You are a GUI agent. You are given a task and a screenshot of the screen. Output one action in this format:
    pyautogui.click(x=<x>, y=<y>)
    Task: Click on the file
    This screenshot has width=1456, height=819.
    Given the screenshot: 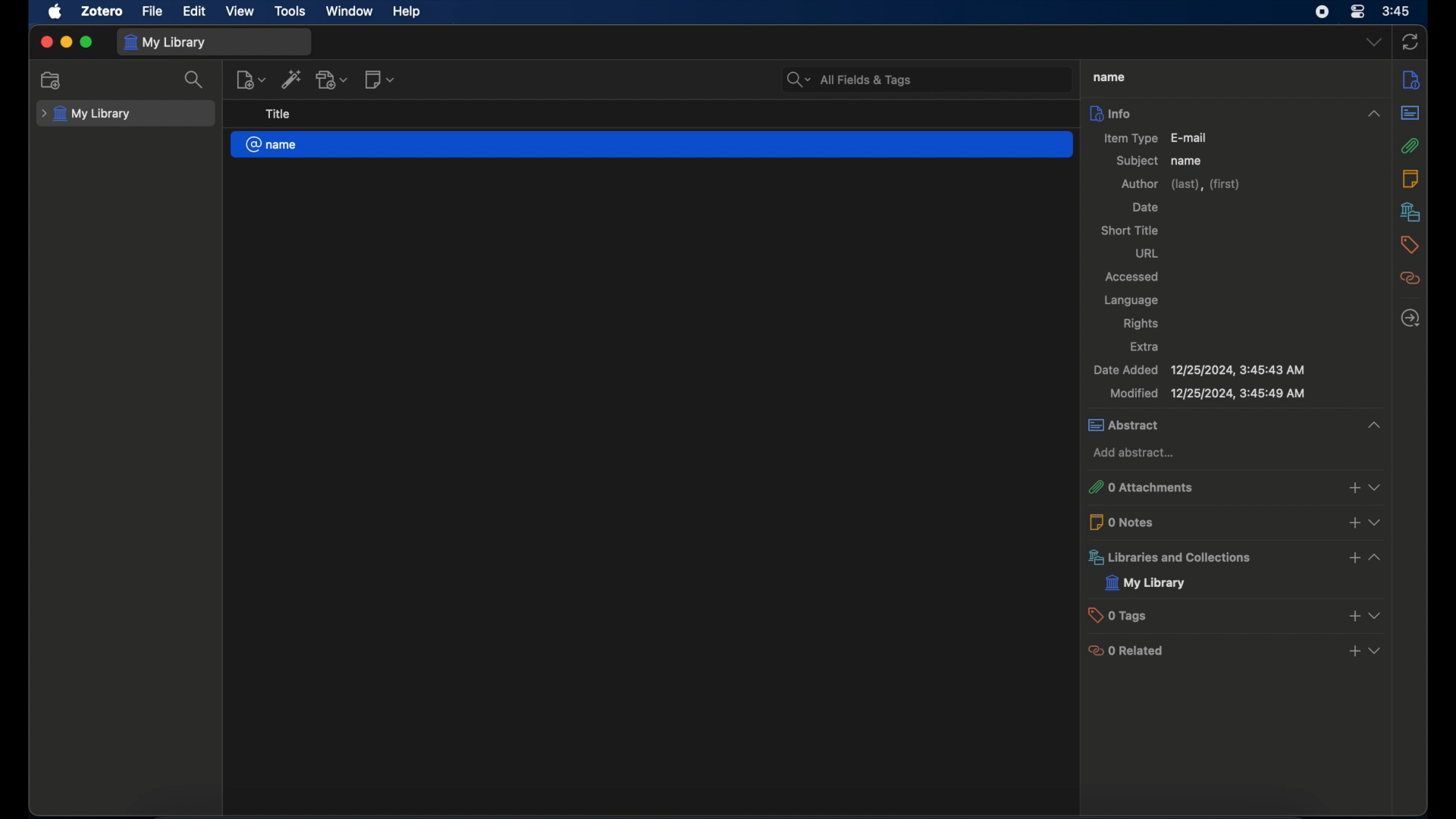 What is the action you would take?
    pyautogui.click(x=153, y=12)
    